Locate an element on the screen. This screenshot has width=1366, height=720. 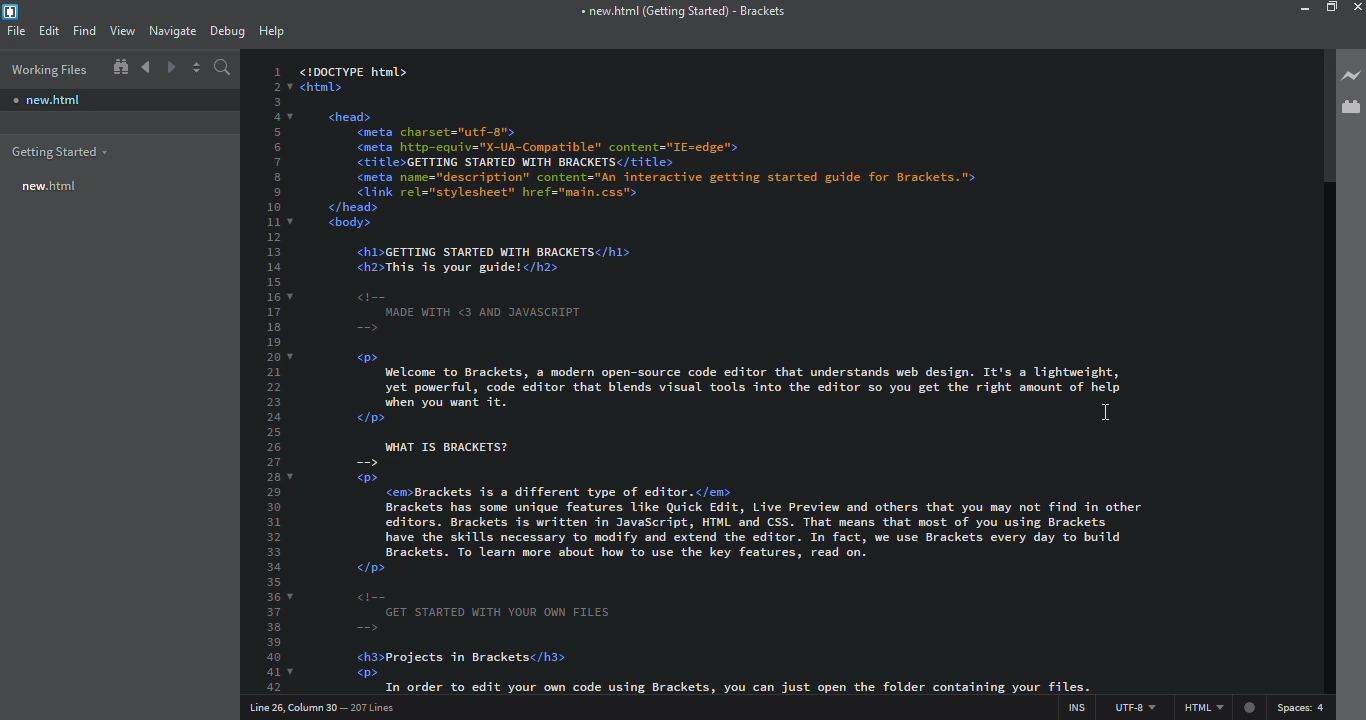
navigate forward is located at coordinates (173, 68).